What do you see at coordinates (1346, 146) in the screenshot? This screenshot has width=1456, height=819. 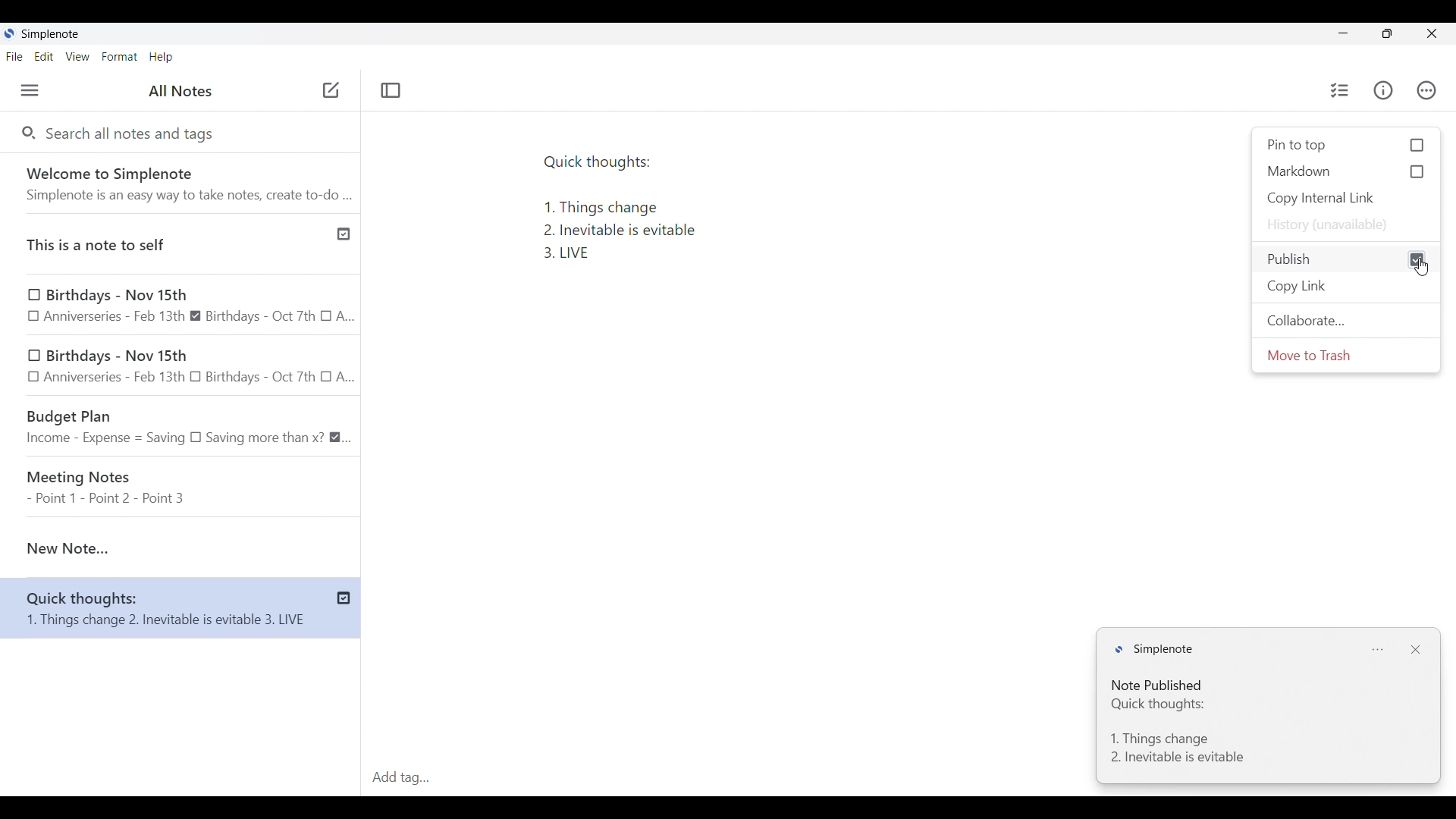 I see `Check to Pin to top` at bounding box center [1346, 146].